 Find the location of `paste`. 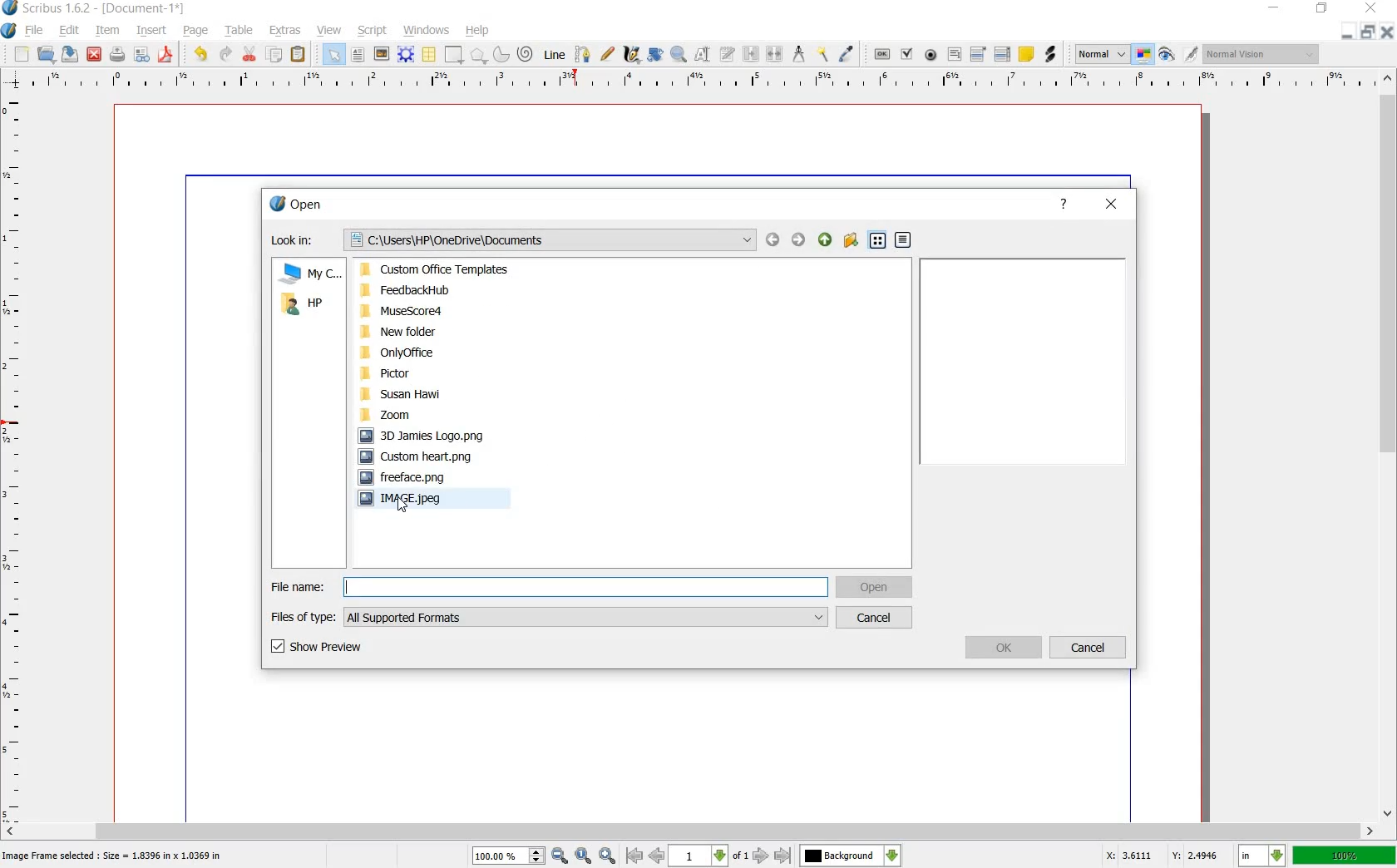

paste is located at coordinates (299, 55).